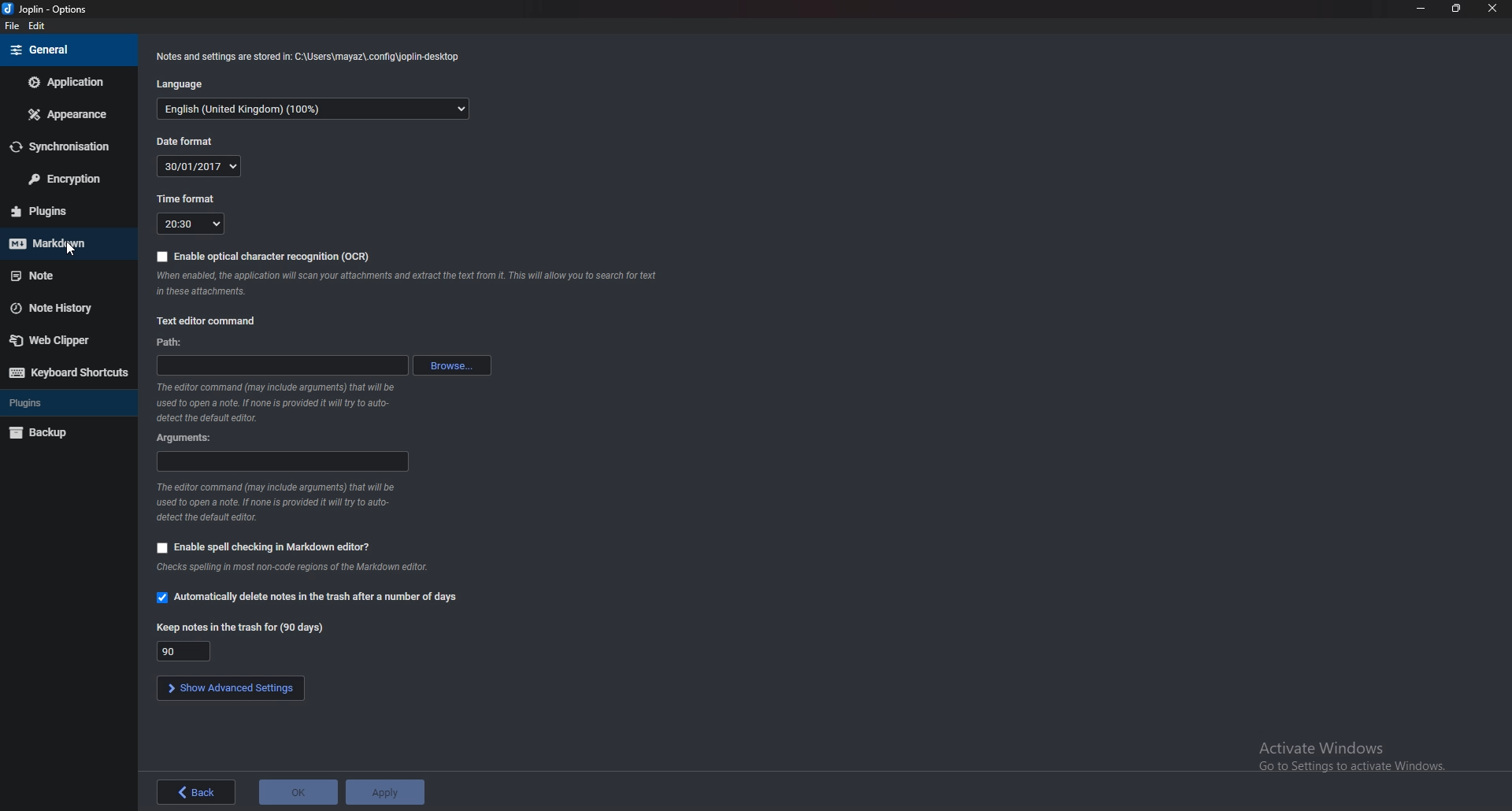 This screenshot has width=1512, height=811. What do you see at coordinates (306, 598) in the screenshot?
I see `Automatically delete notes` at bounding box center [306, 598].